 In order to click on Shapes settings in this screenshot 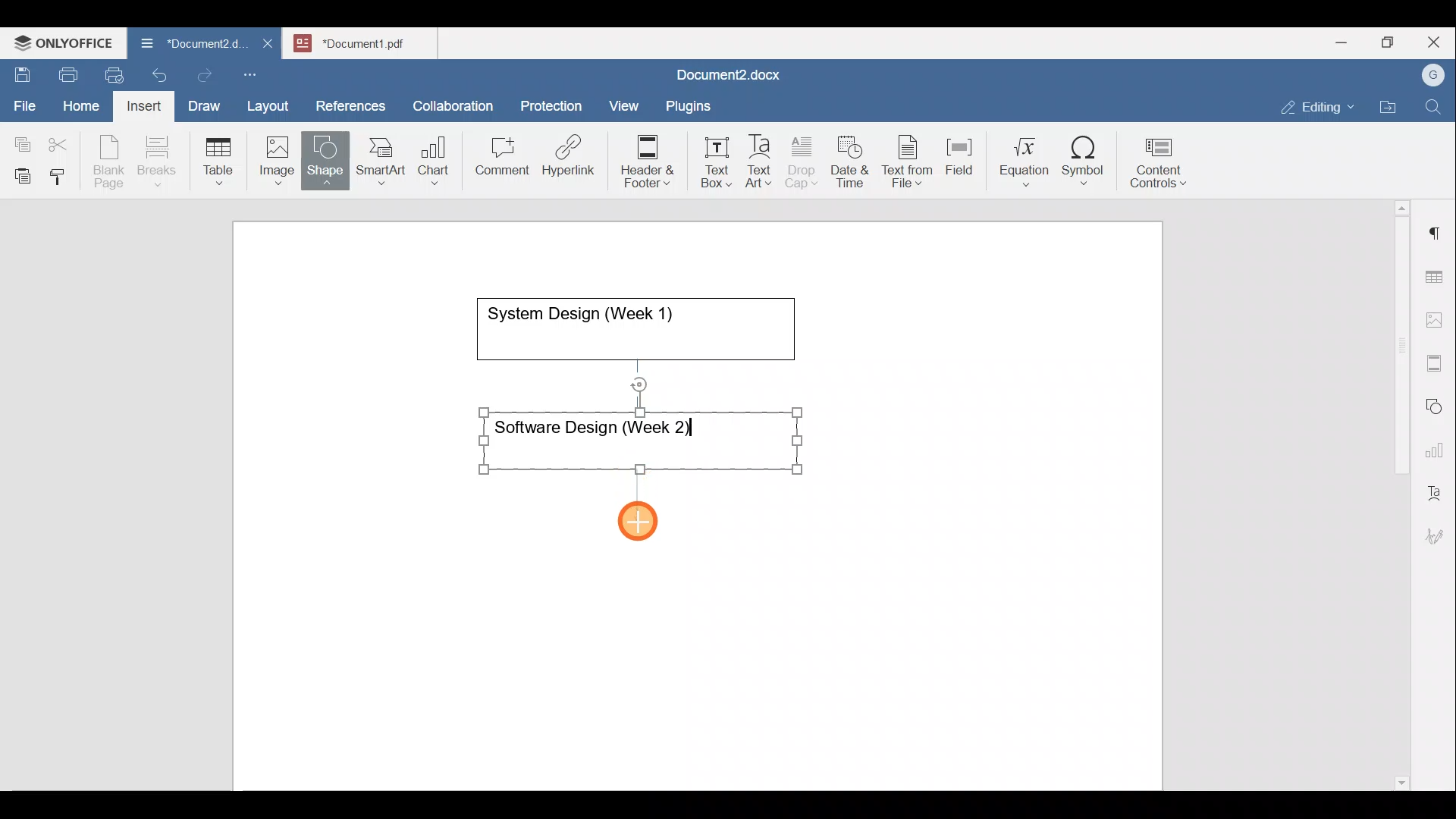, I will do `click(1437, 404)`.